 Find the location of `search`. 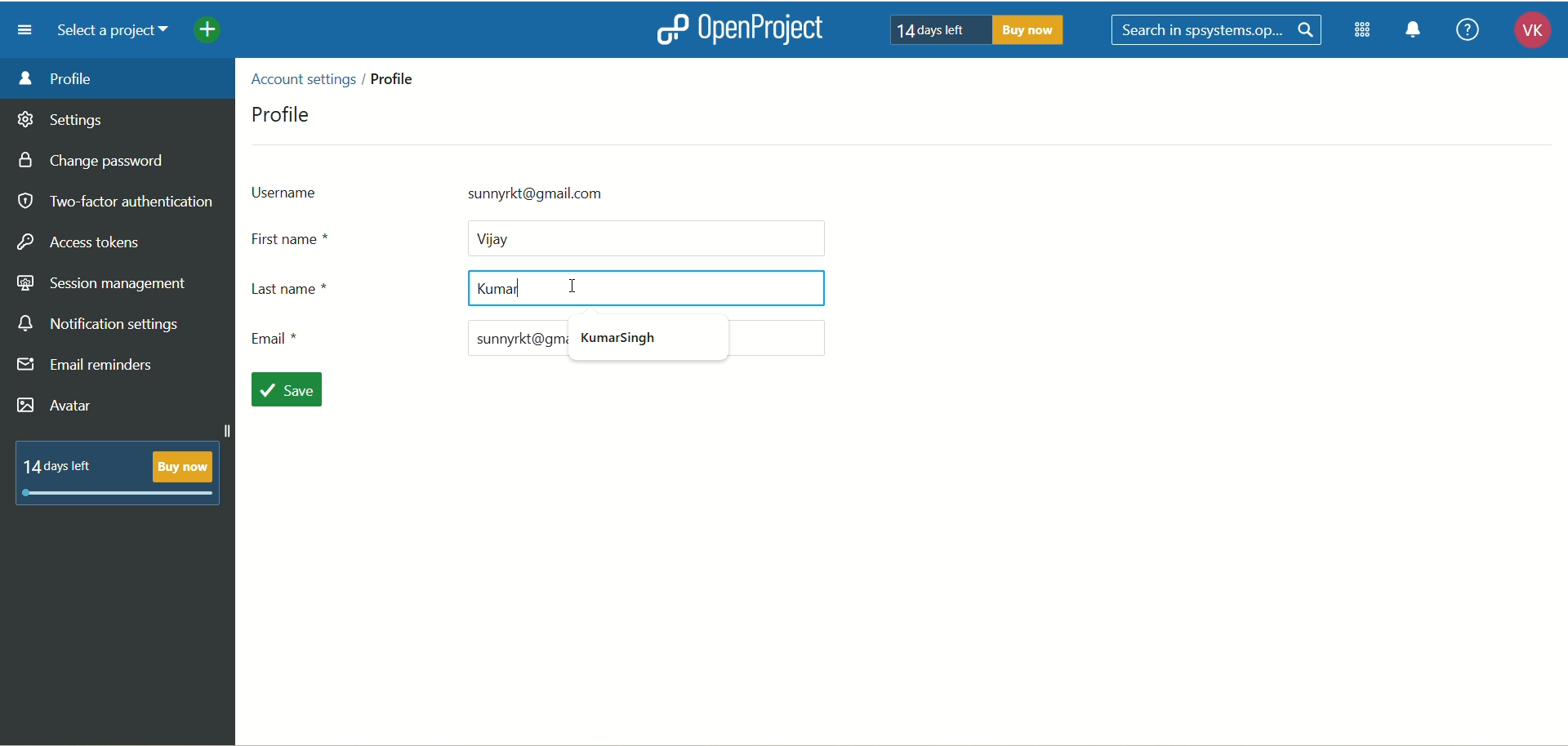

search is located at coordinates (1218, 30).